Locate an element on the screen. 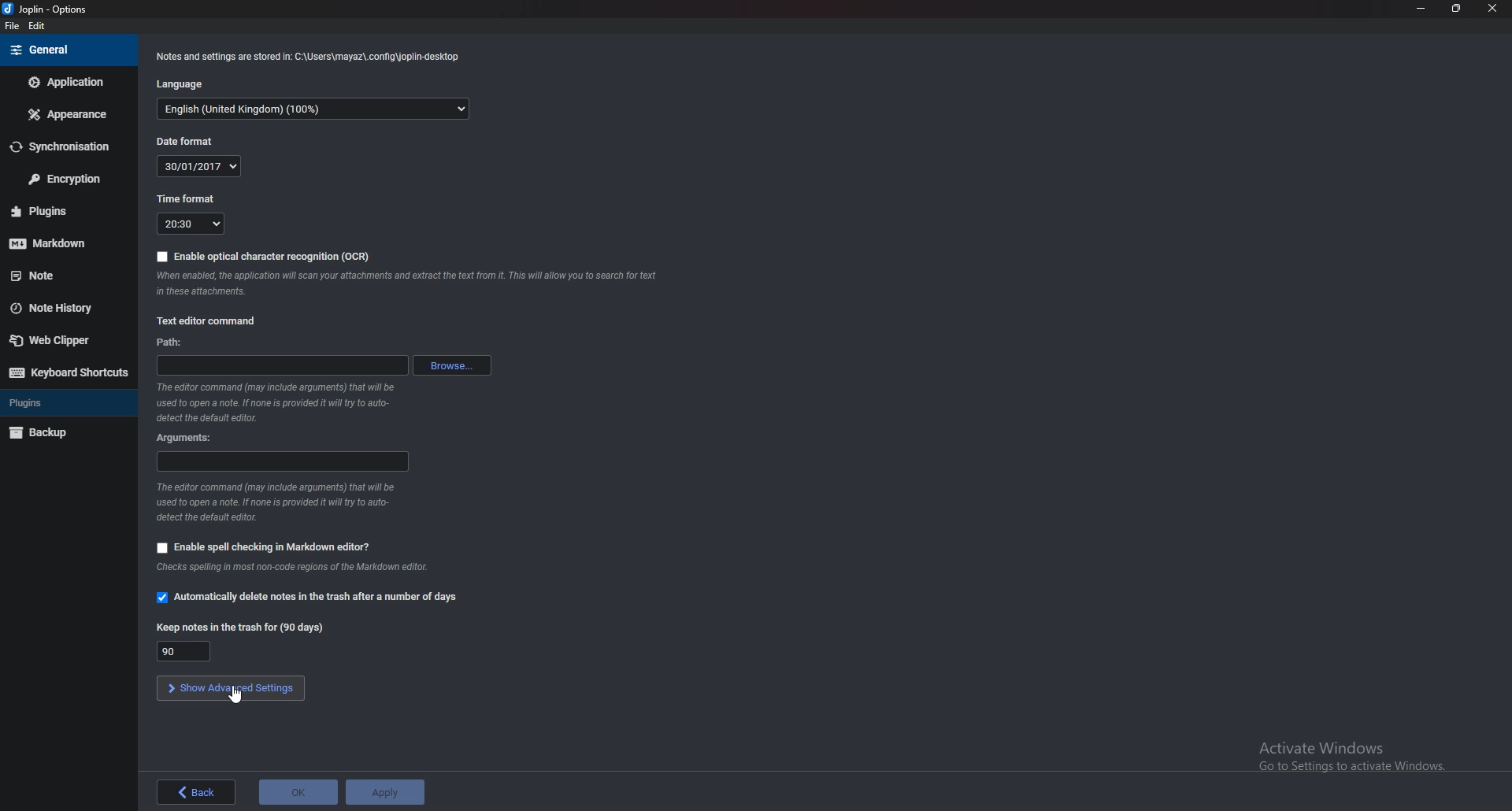  Synchronization is located at coordinates (64, 146).